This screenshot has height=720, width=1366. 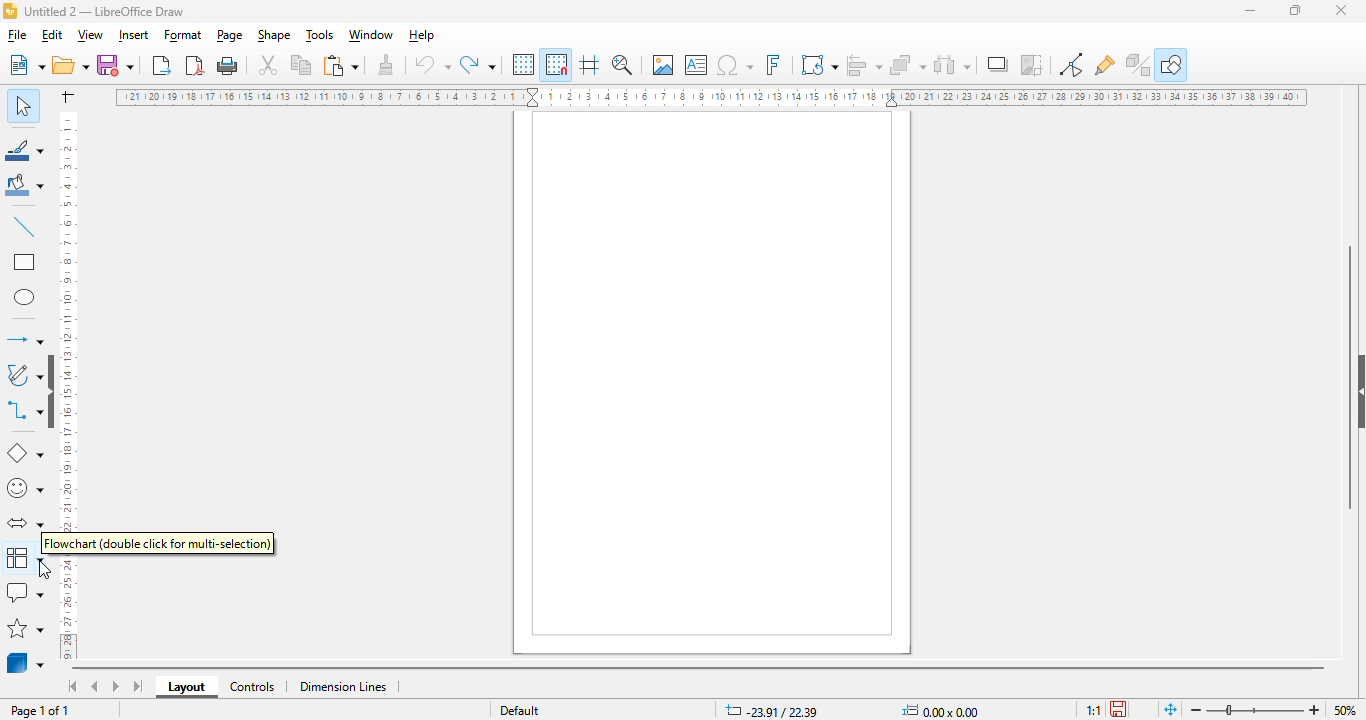 I want to click on t (double click for multi-selection), so click(x=184, y=545).